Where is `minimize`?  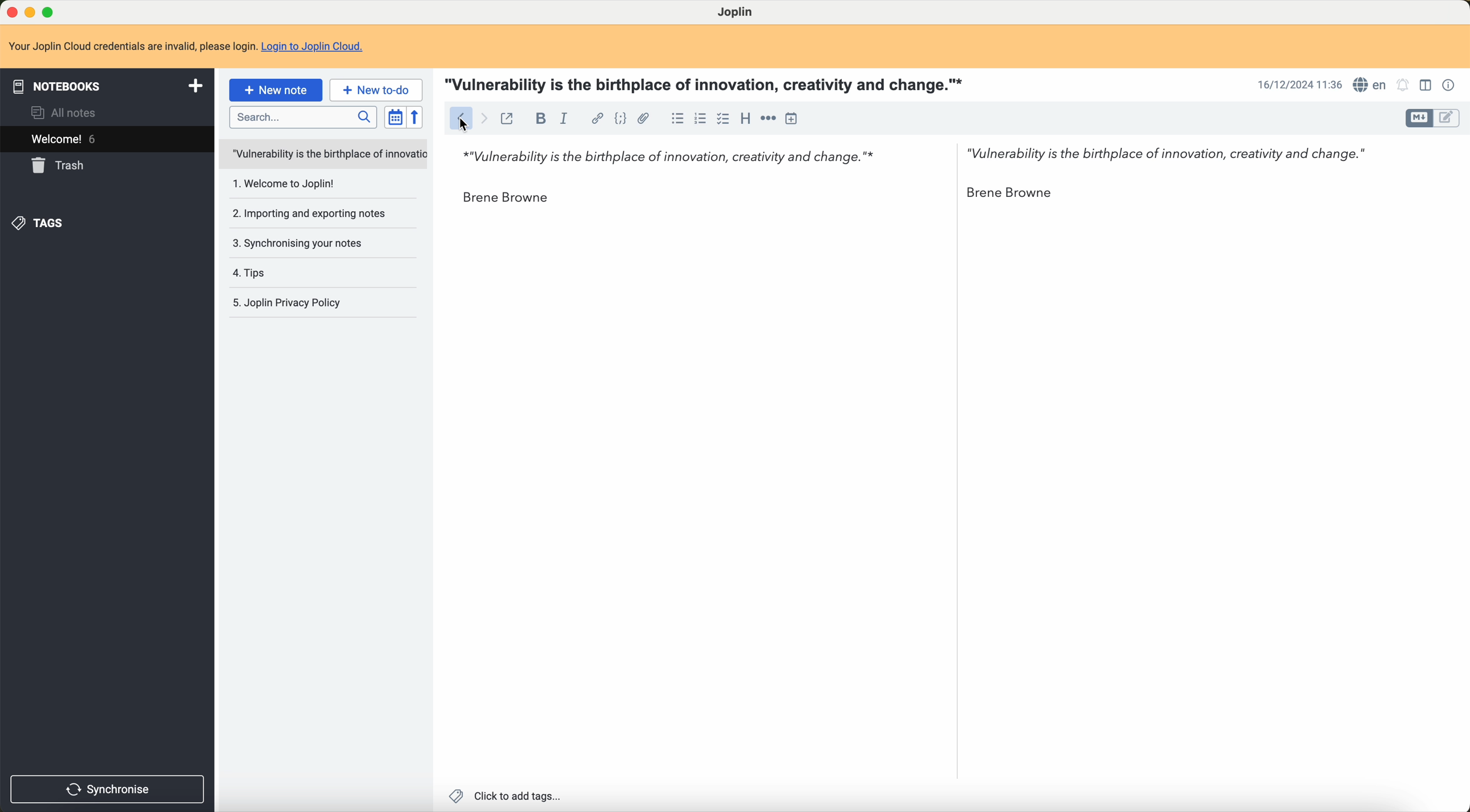
minimize is located at coordinates (32, 11).